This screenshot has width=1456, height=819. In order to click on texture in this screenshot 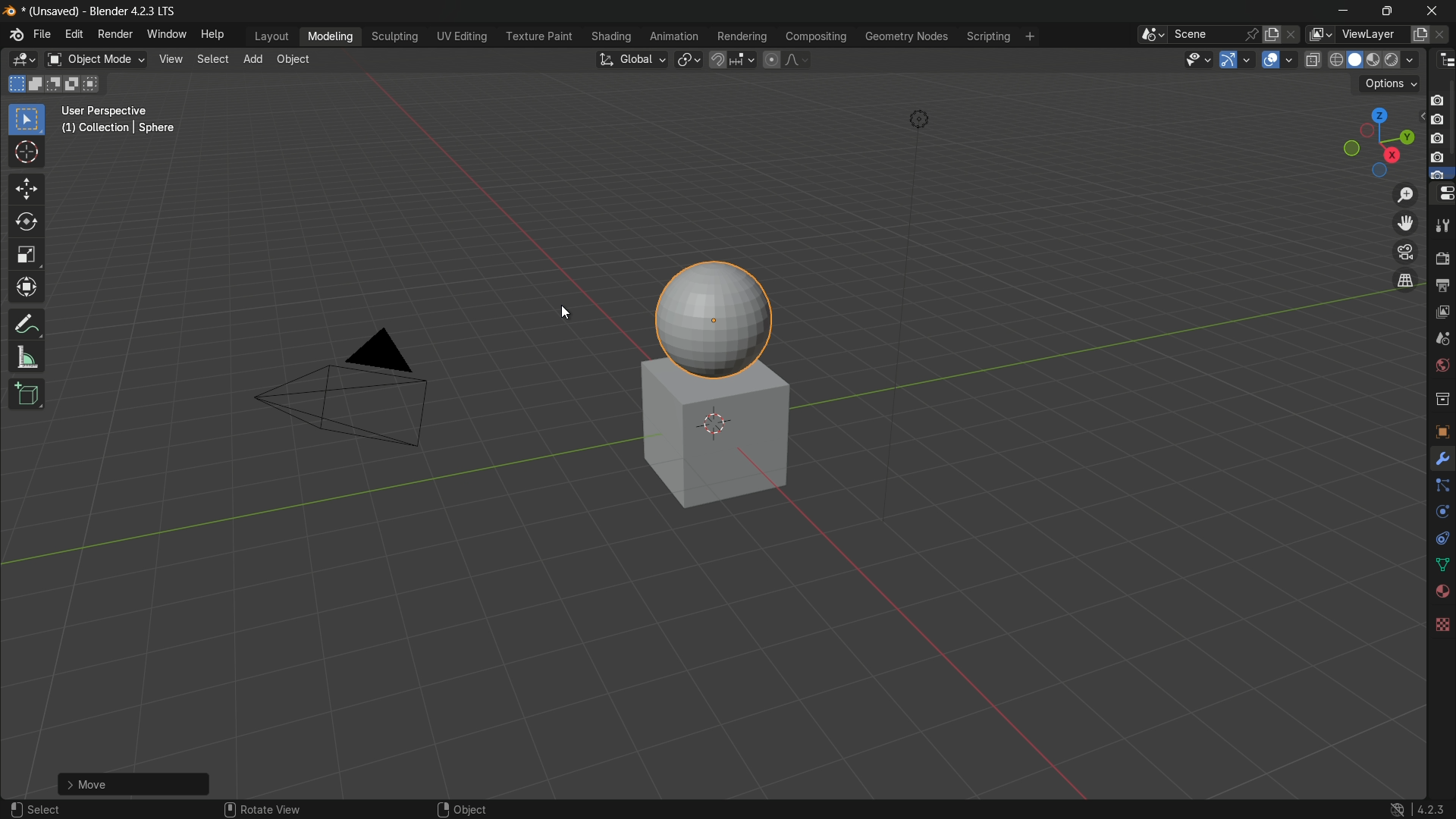, I will do `click(1442, 434)`.